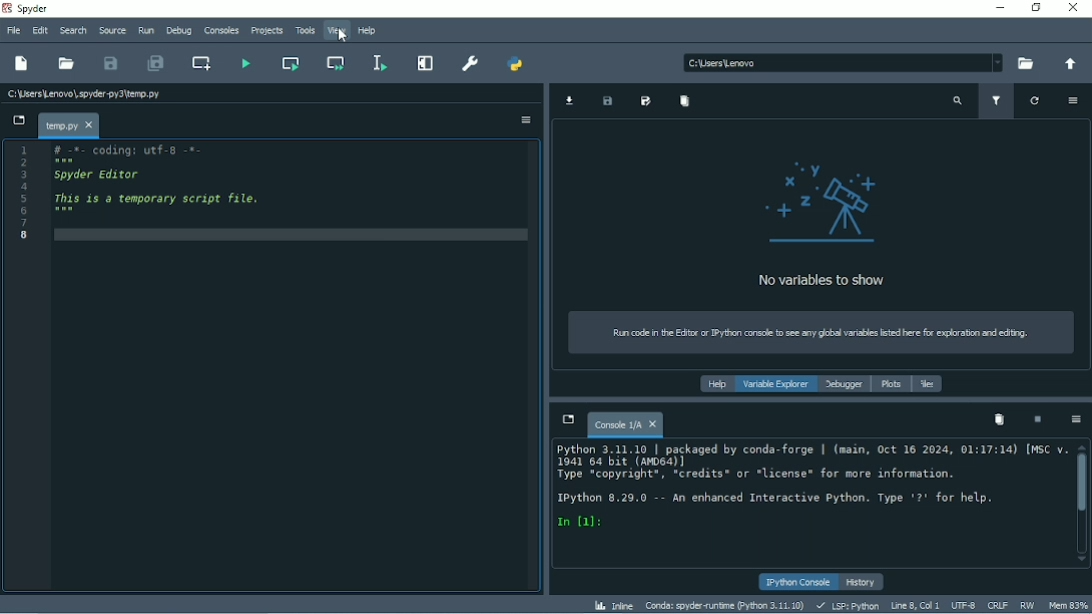 This screenshot has width=1092, height=614. What do you see at coordinates (33, 9) in the screenshot?
I see `Spyder` at bounding box center [33, 9].